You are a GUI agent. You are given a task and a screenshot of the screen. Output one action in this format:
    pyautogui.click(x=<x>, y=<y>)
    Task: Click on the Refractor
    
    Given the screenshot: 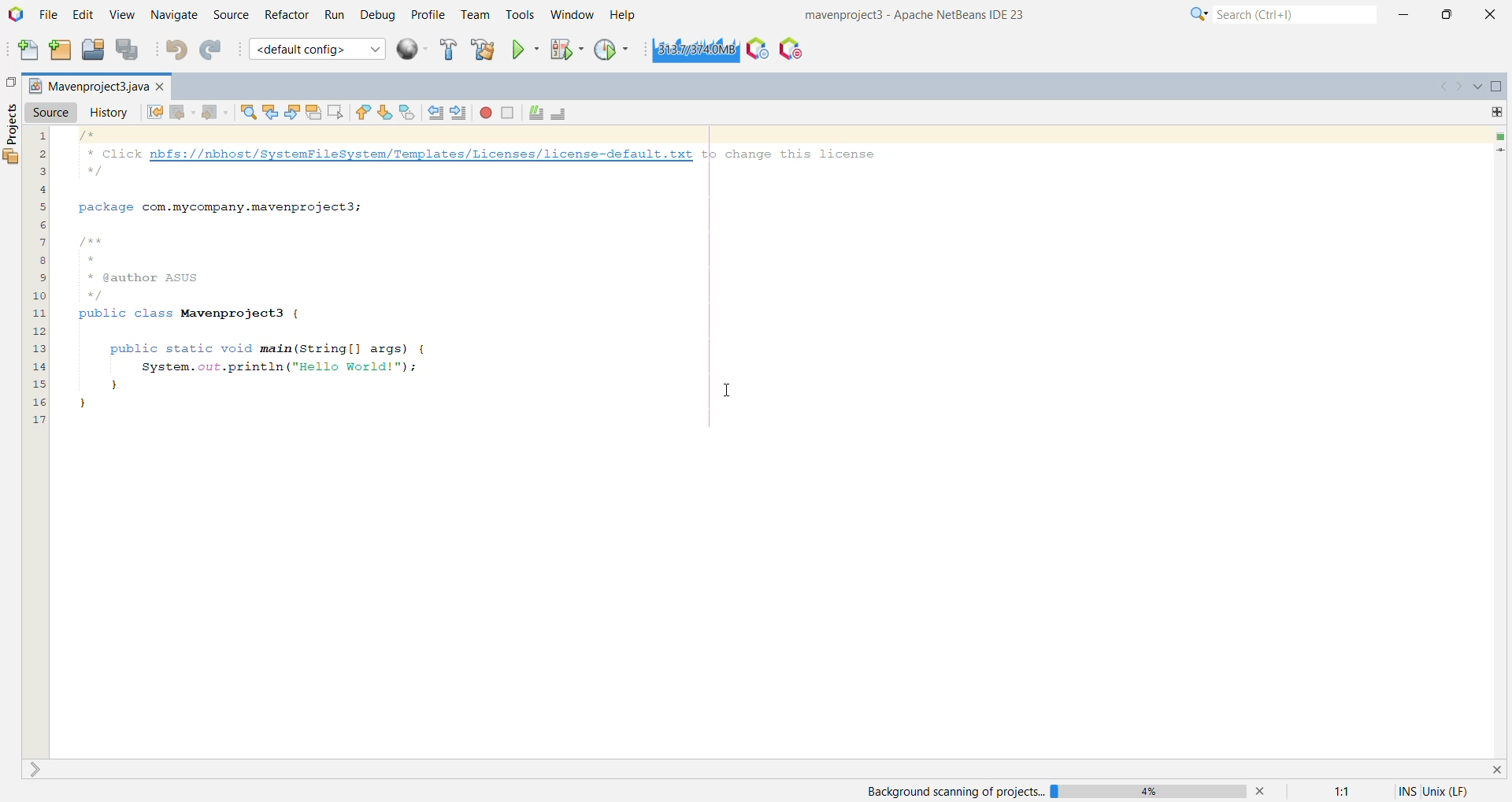 What is the action you would take?
    pyautogui.click(x=285, y=15)
    